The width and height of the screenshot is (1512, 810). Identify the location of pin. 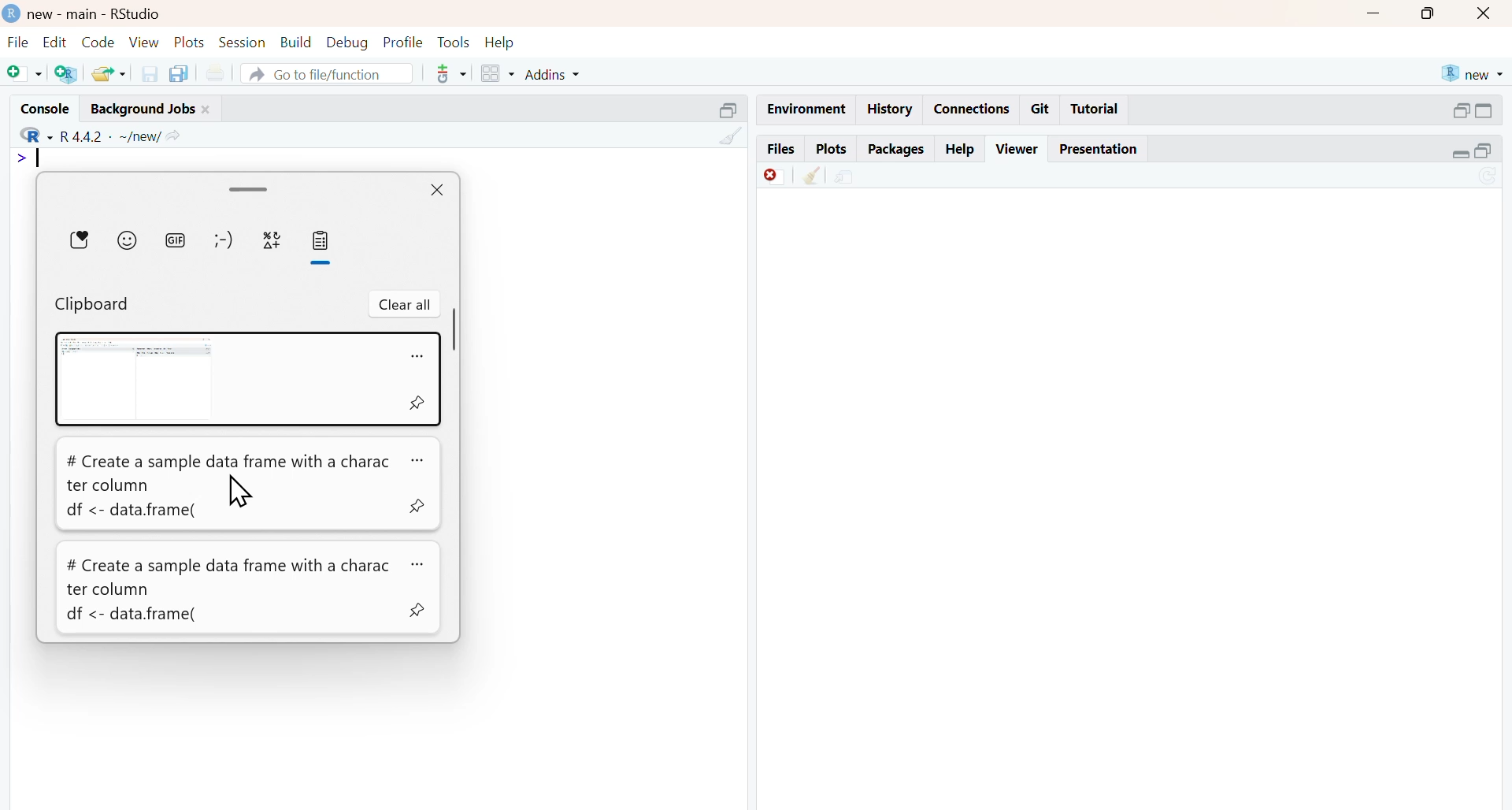
(417, 404).